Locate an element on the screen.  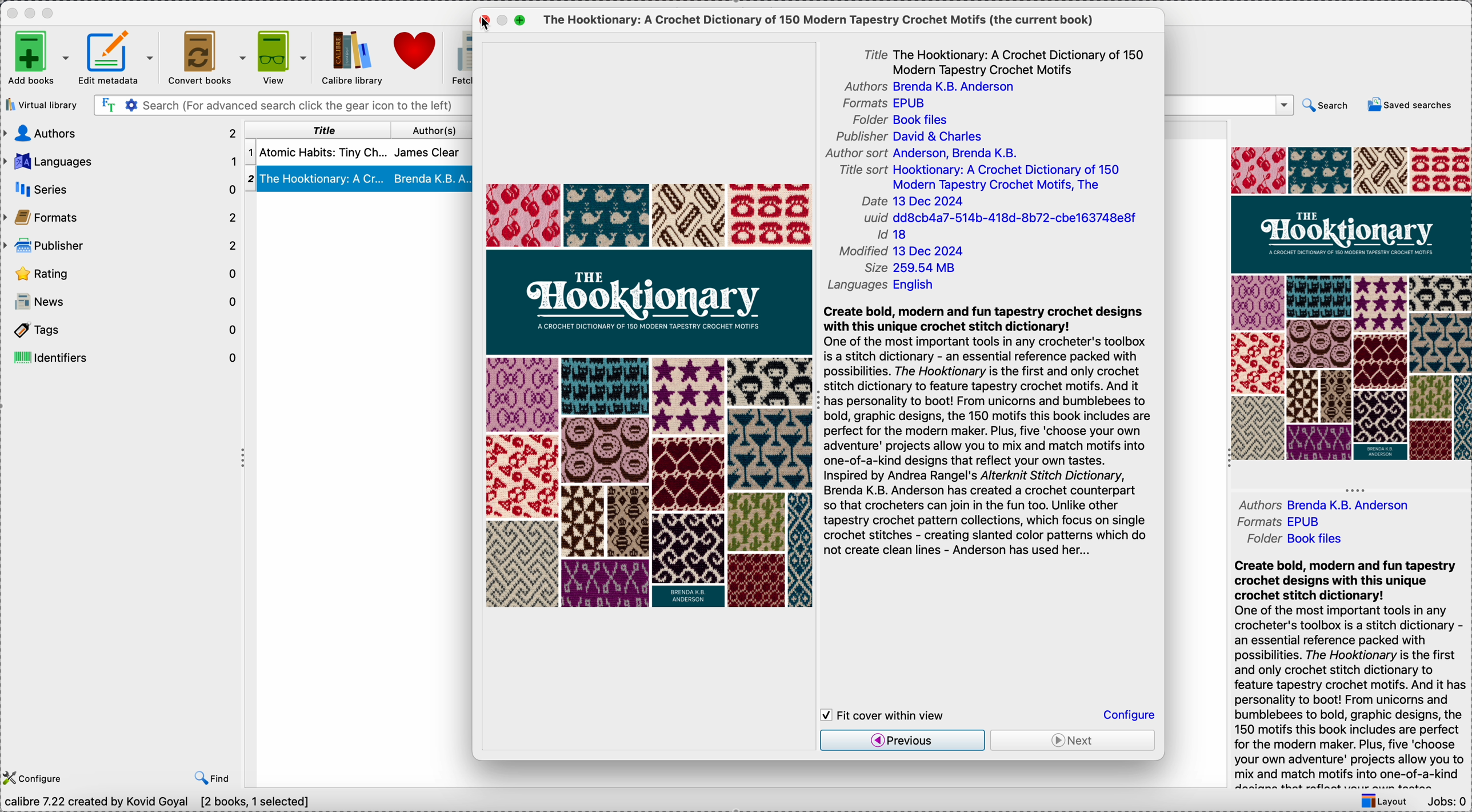
cursor is located at coordinates (487, 23).